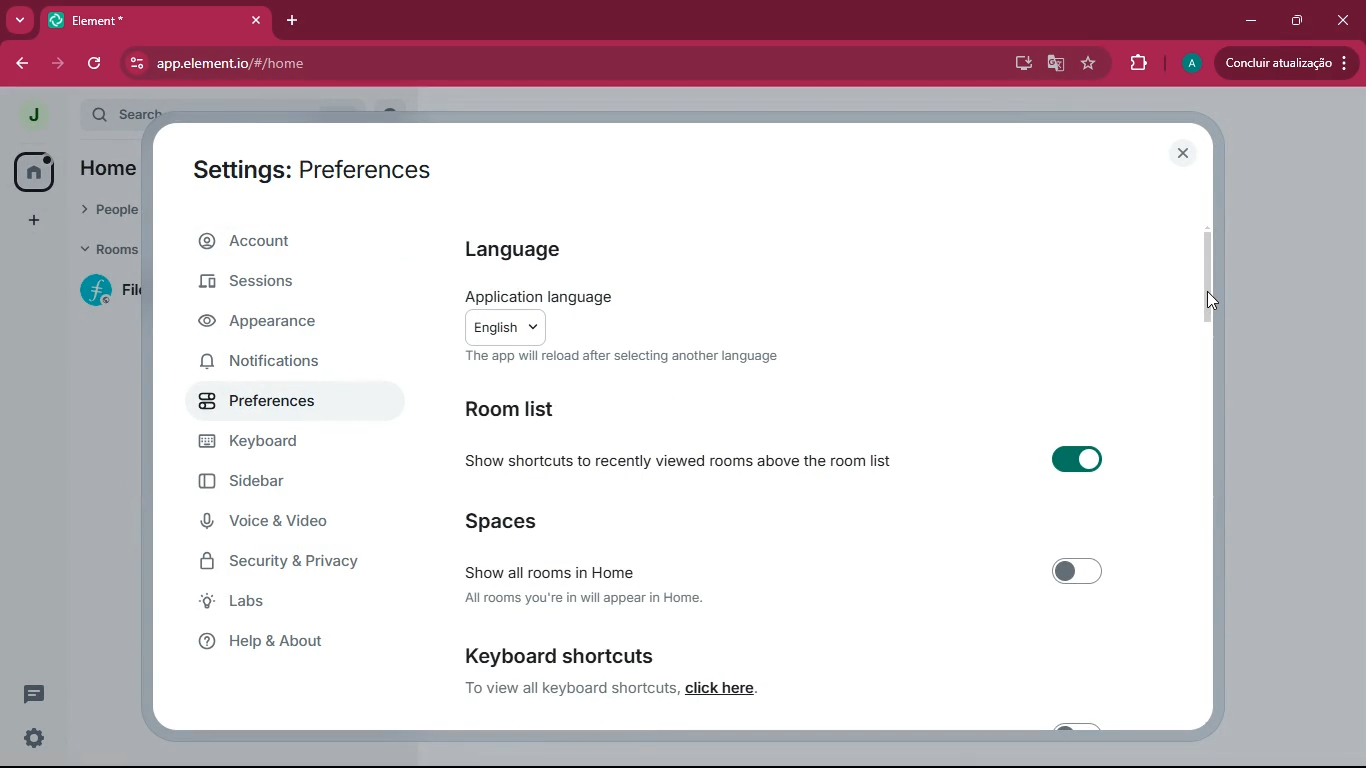  Describe the element at coordinates (302, 642) in the screenshot. I see `help & about` at that location.